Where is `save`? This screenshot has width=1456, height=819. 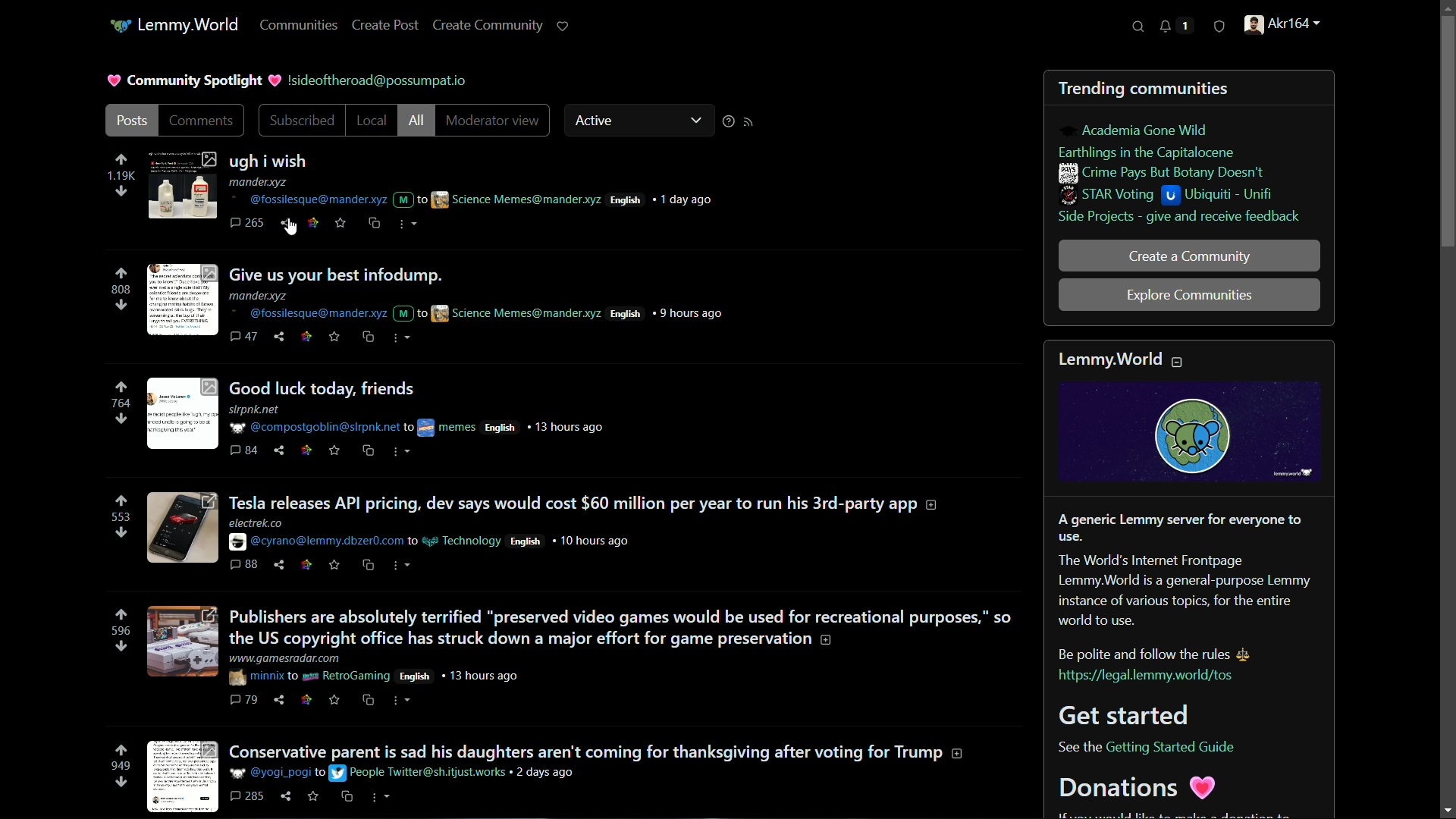 save is located at coordinates (334, 450).